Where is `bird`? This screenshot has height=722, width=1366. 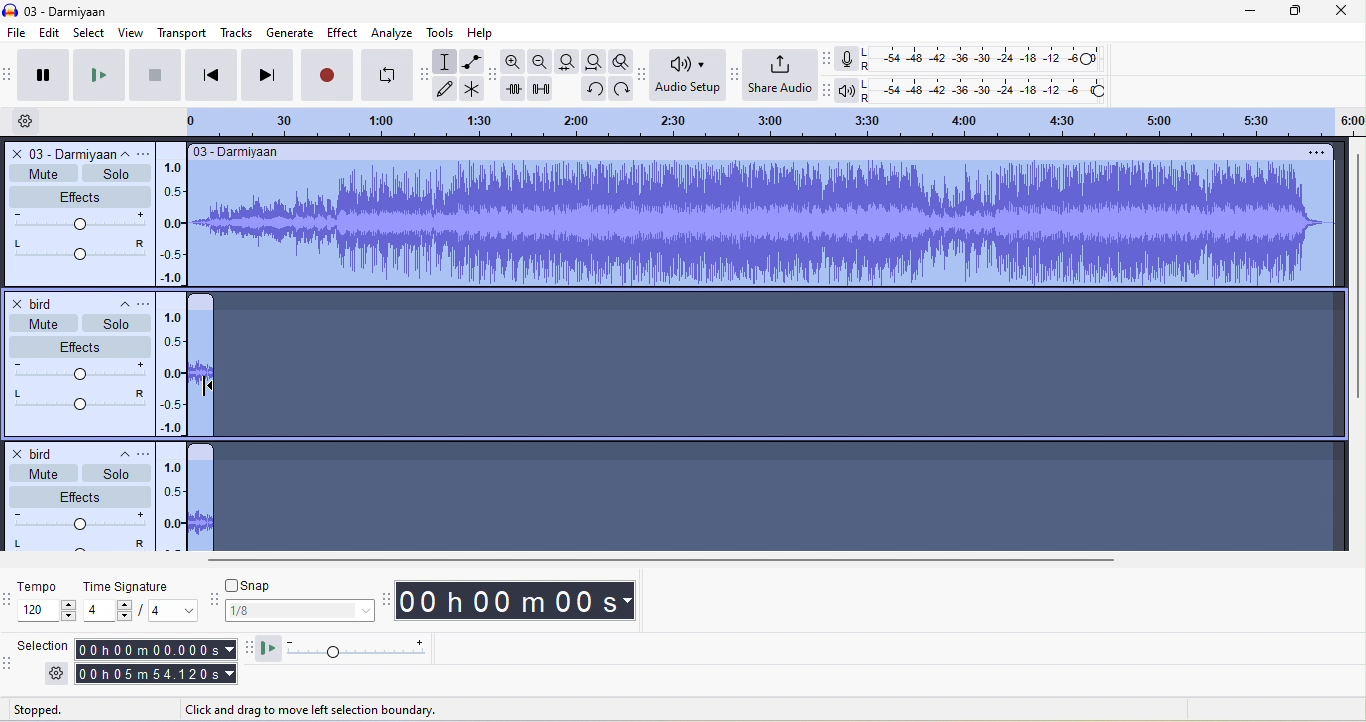
bird is located at coordinates (43, 450).